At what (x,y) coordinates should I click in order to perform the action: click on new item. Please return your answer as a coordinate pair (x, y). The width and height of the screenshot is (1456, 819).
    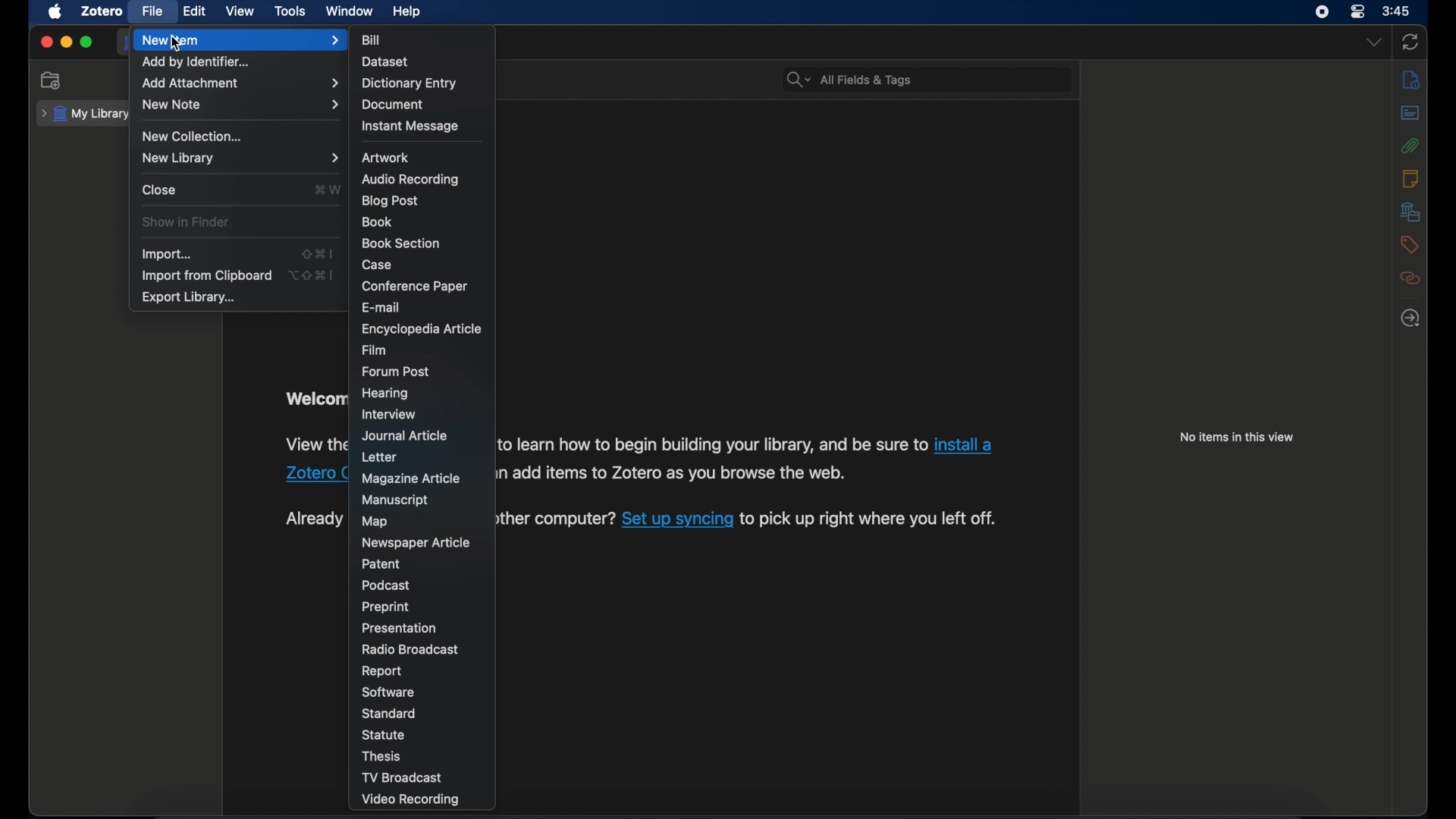
    Looking at the image, I should click on (242, 40).